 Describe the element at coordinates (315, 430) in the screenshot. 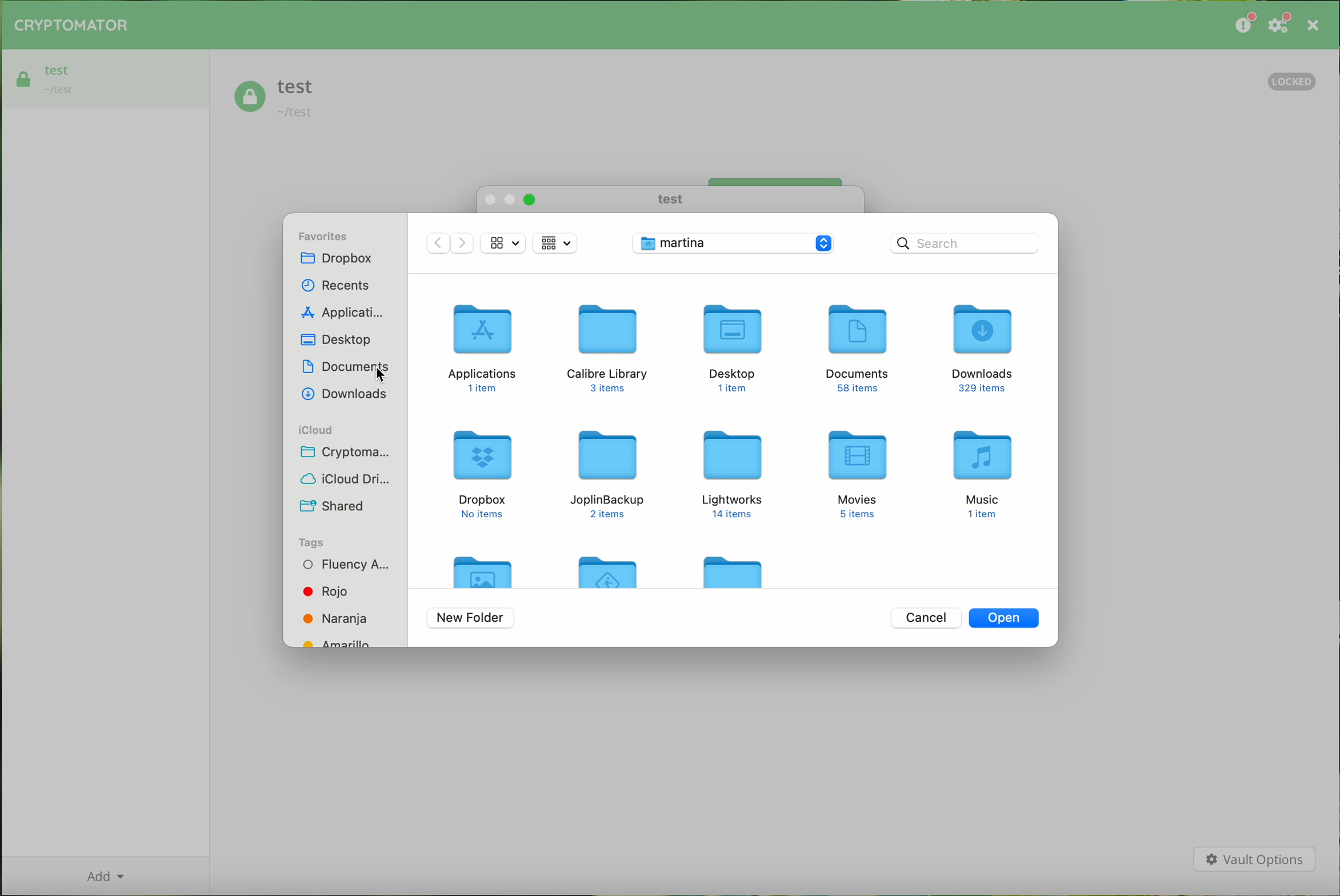

I see `icloud` at that location.